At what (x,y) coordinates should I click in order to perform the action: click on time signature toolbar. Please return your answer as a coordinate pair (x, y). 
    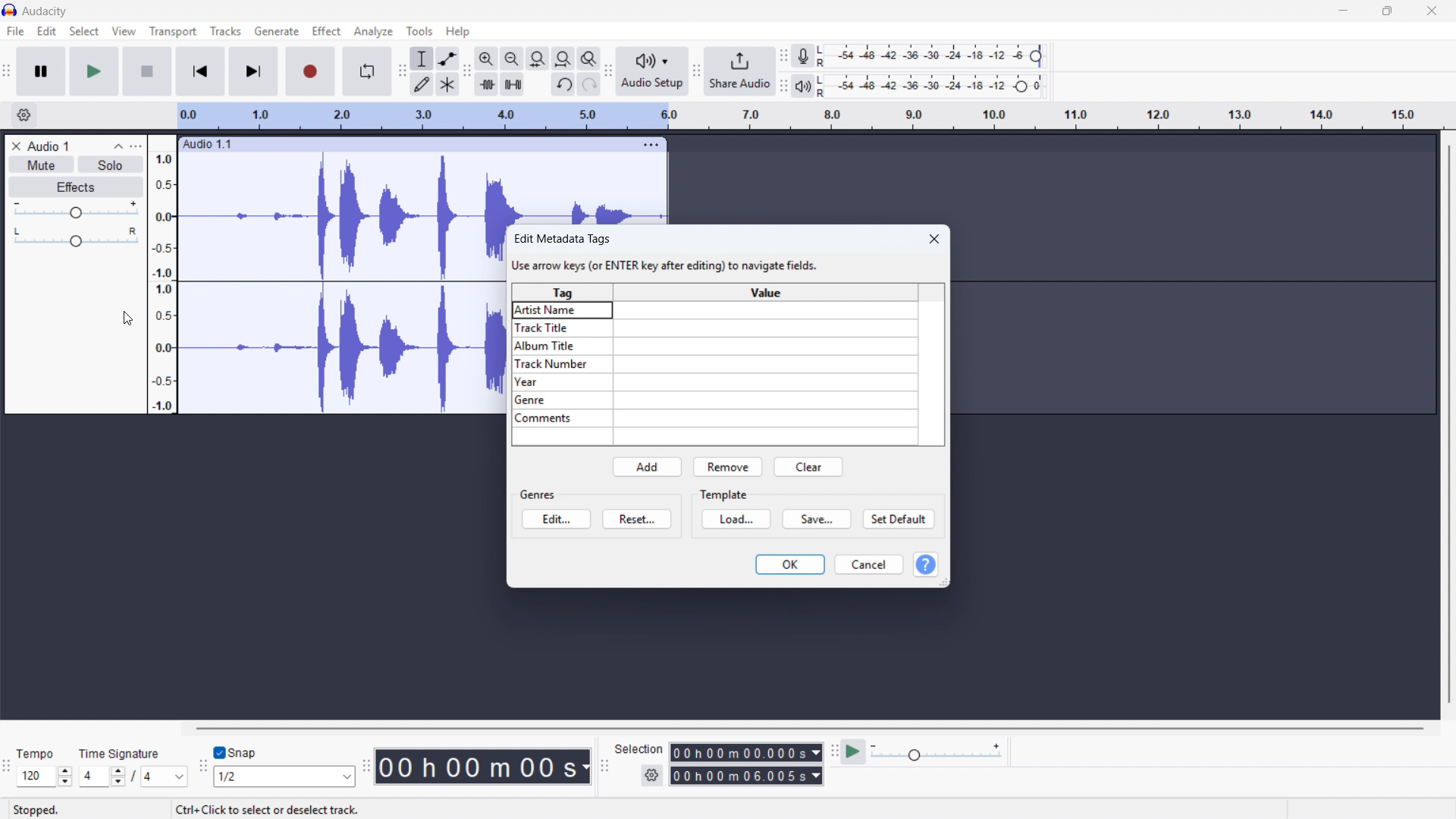
    Looking at the image, I should click on (8, 766).